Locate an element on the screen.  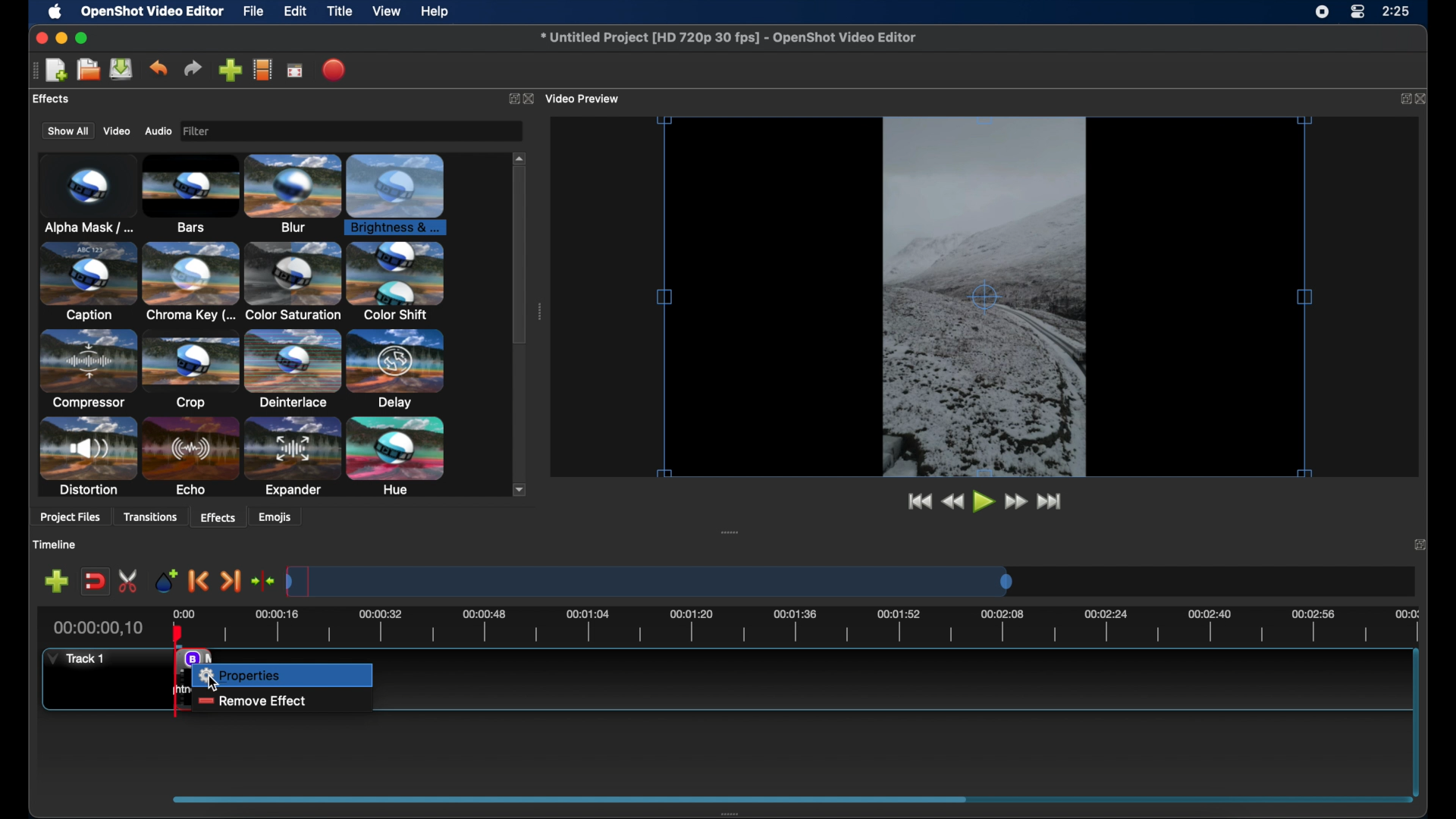
video preview is located at coordinates (984, 297).